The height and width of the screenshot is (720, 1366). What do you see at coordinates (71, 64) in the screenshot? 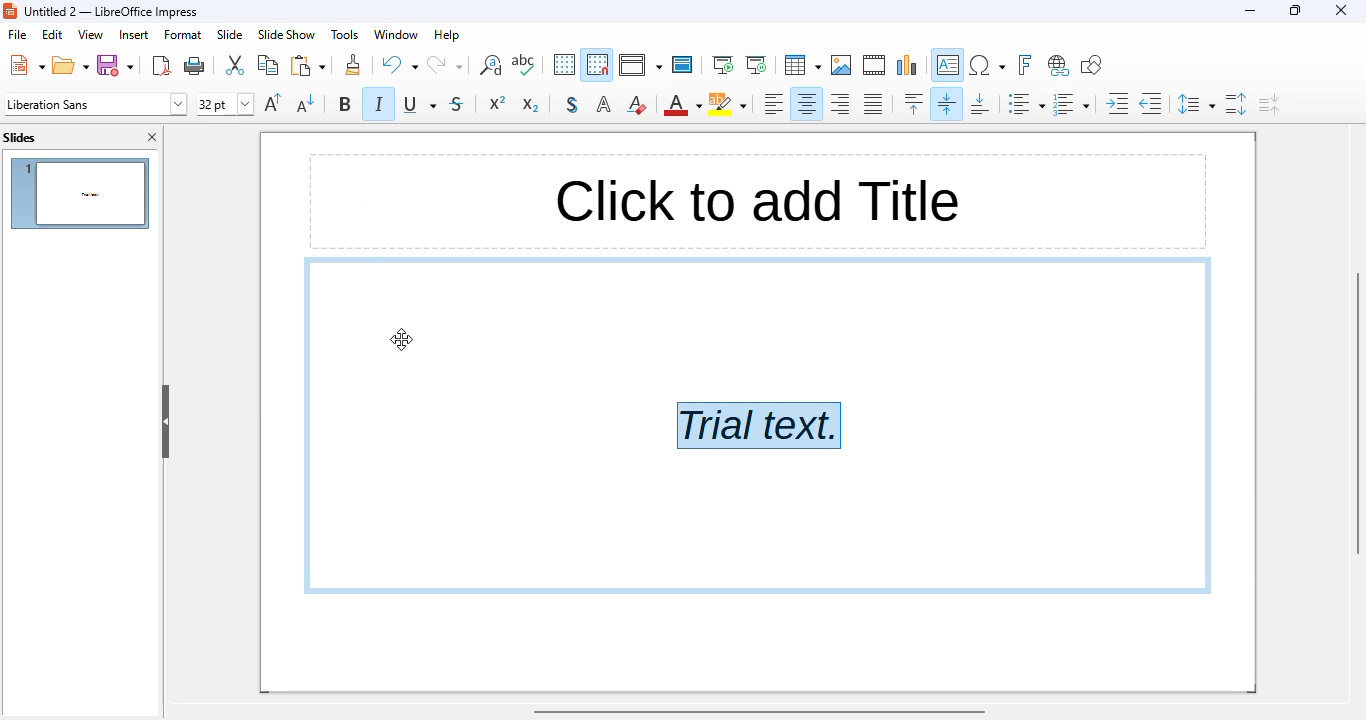
I see `open` at bounding box center [71, 64].